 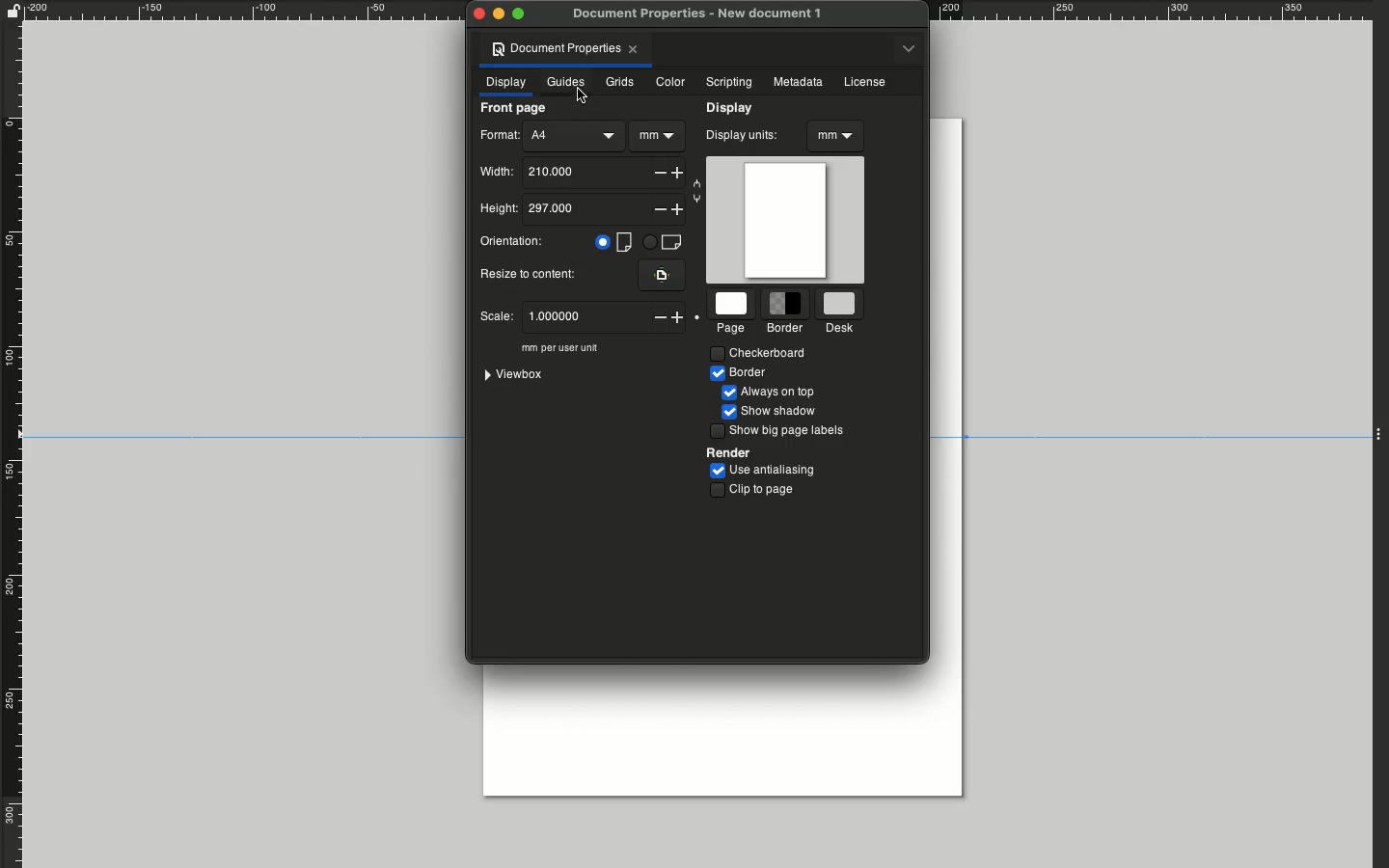 What do you see at coordinates (602, 206) in the screenshot?
I see `297` at bounding box center [602, 206].